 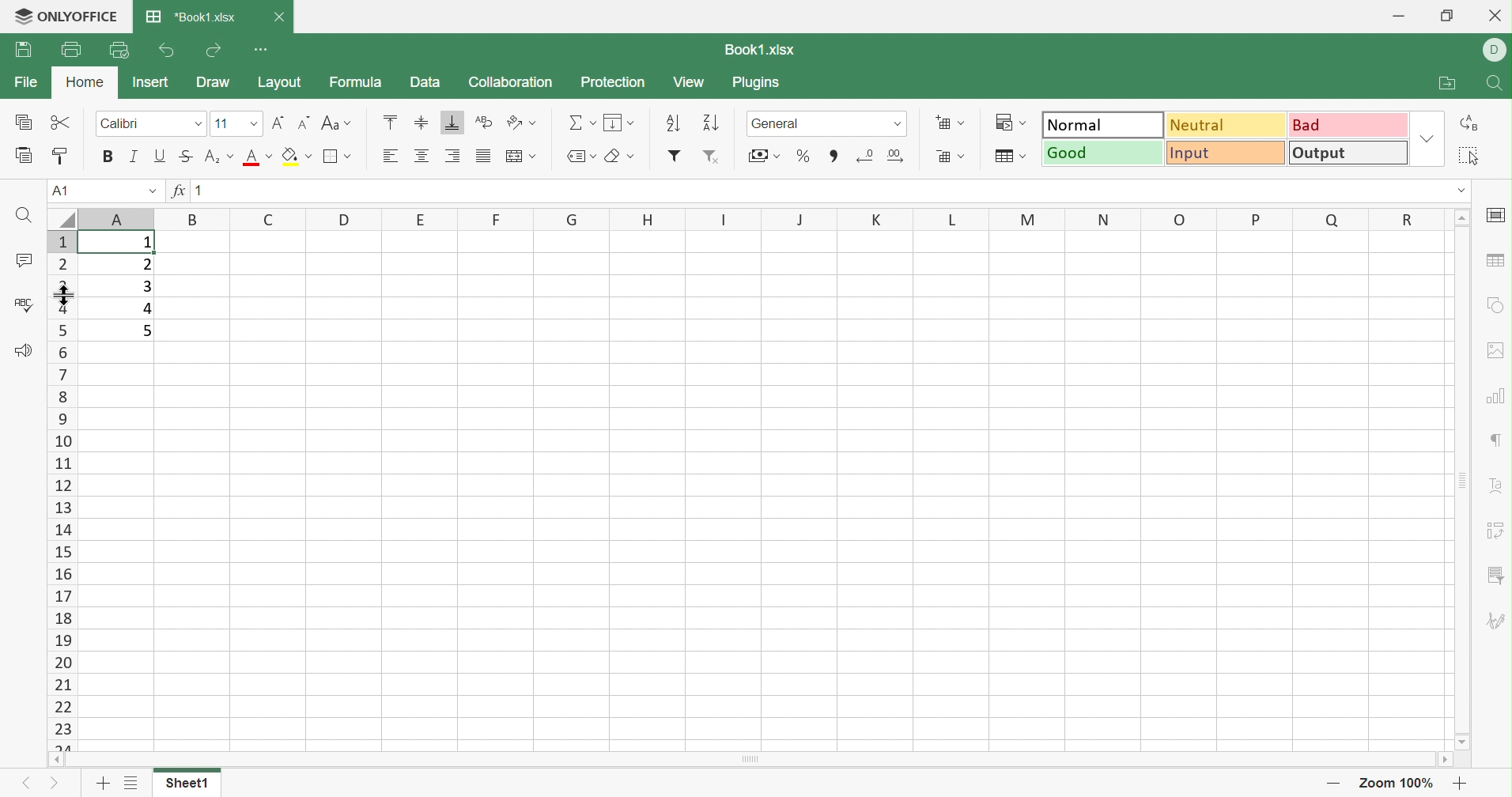 I want to click on Borders, so click(x=334, y=157).